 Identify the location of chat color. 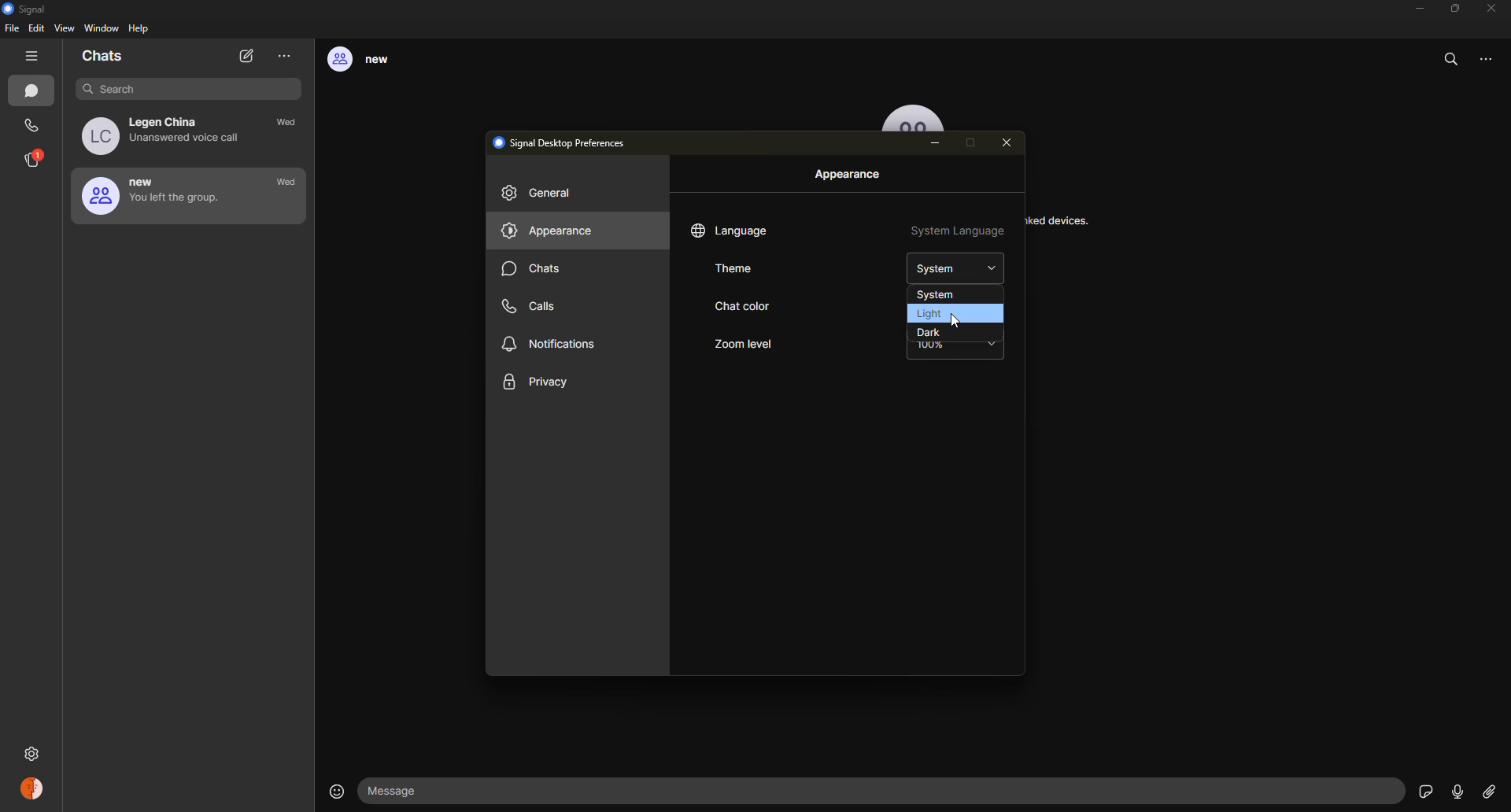
(739, 308).